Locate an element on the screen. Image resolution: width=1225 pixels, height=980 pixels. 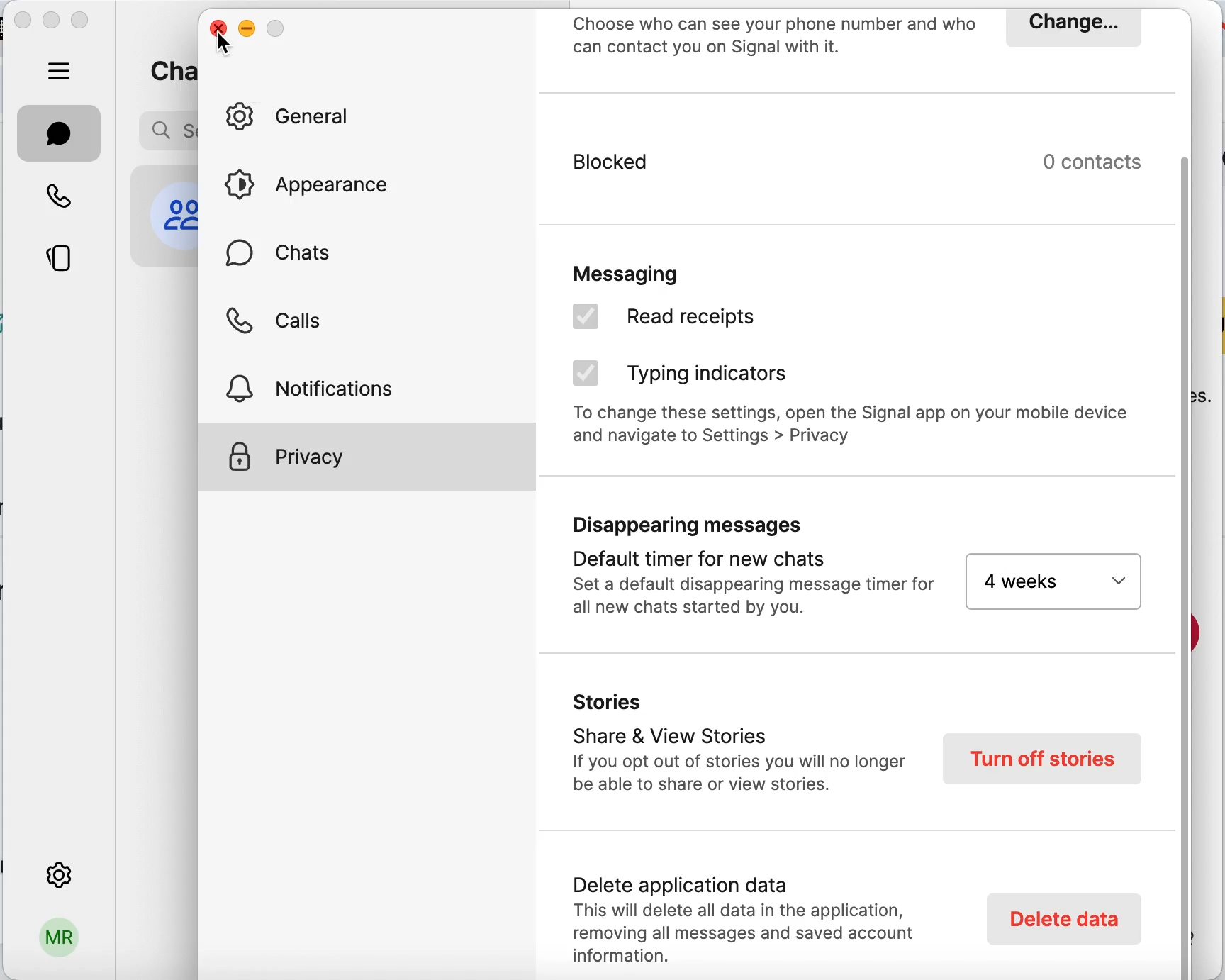
diappearing messages is located at coordinates (747, 570).